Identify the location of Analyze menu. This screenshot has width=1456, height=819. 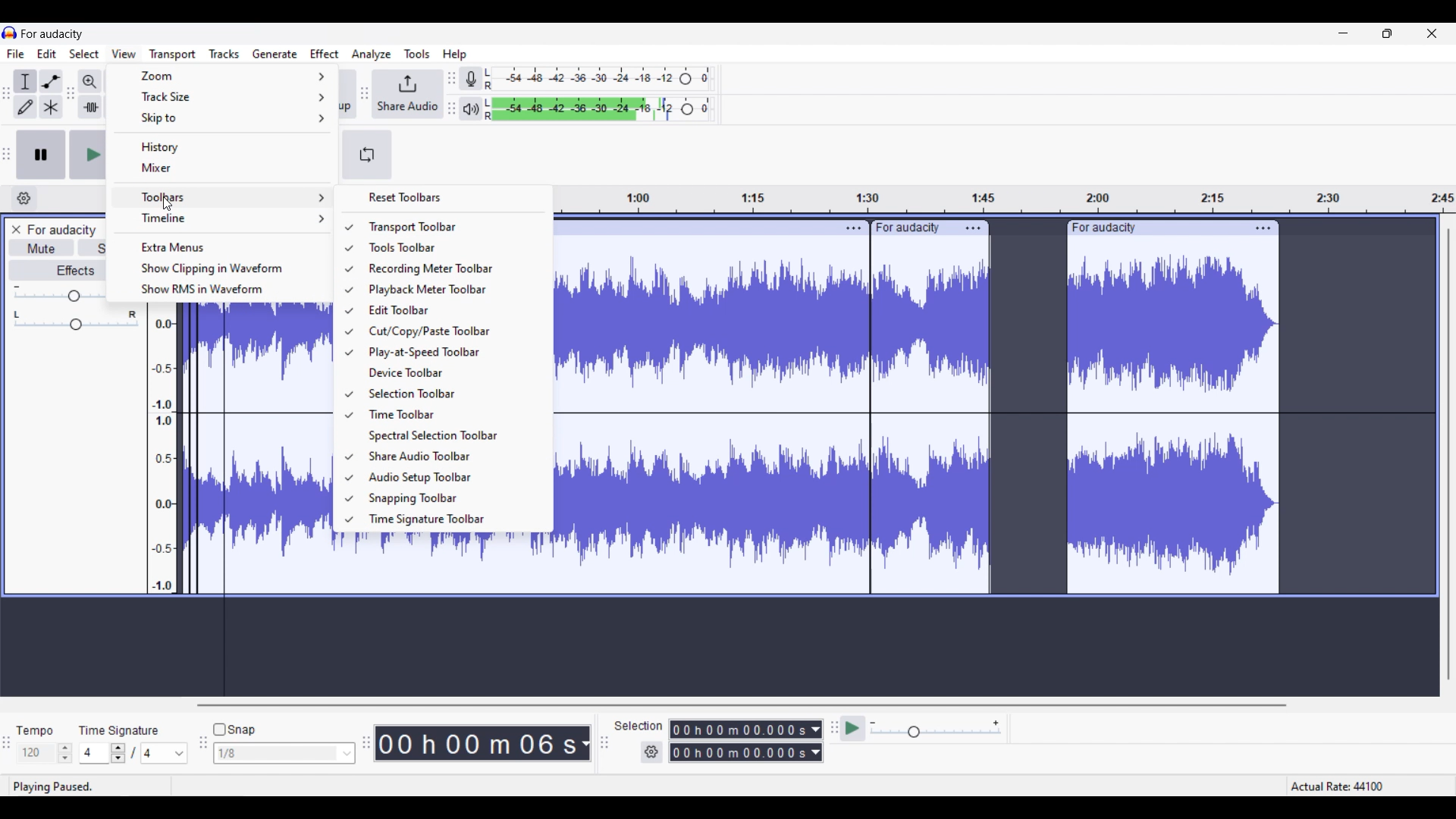
(372, 55).